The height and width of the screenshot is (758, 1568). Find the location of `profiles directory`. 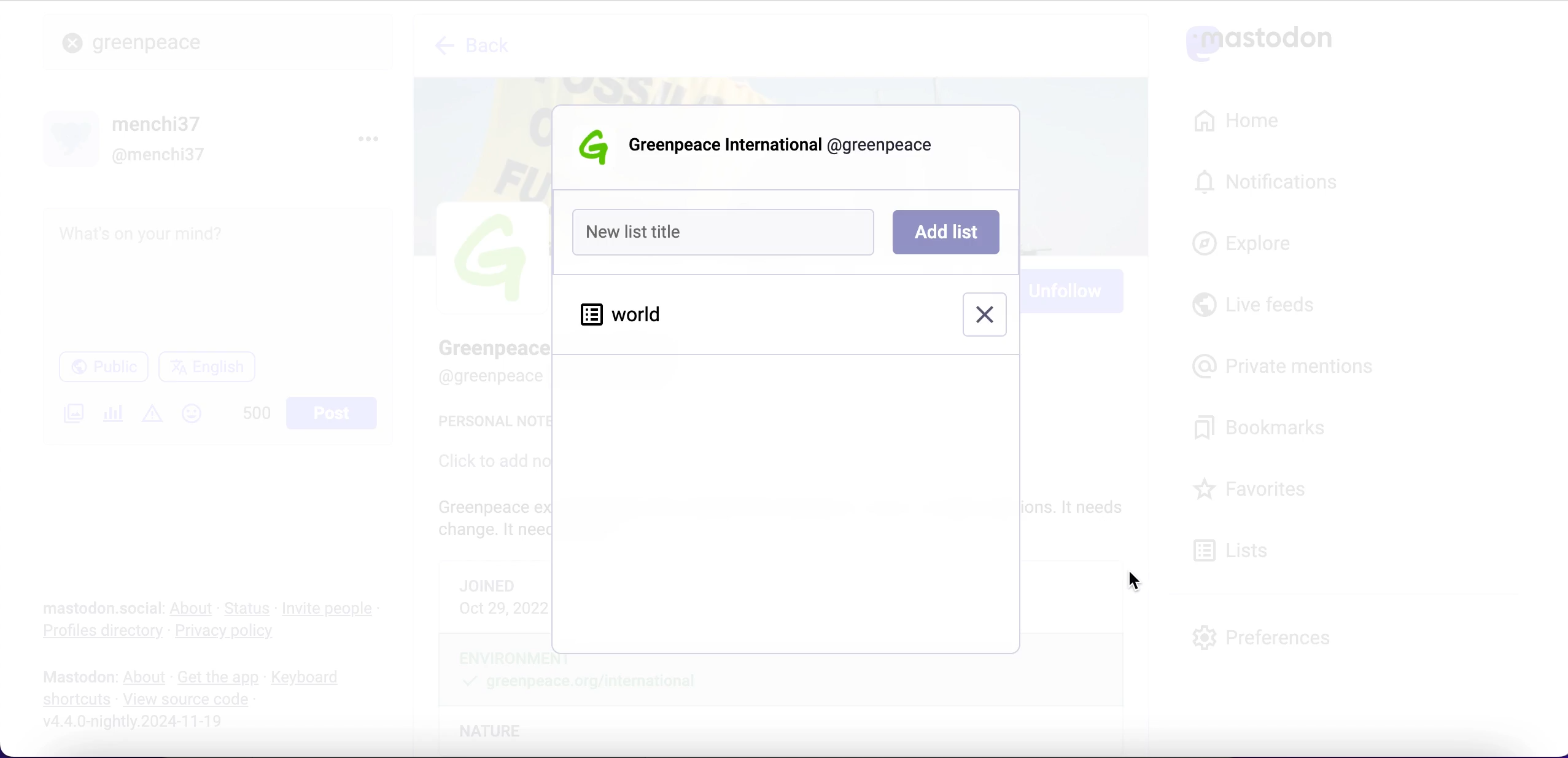

profiles directory is located at coordinates (95, 633).